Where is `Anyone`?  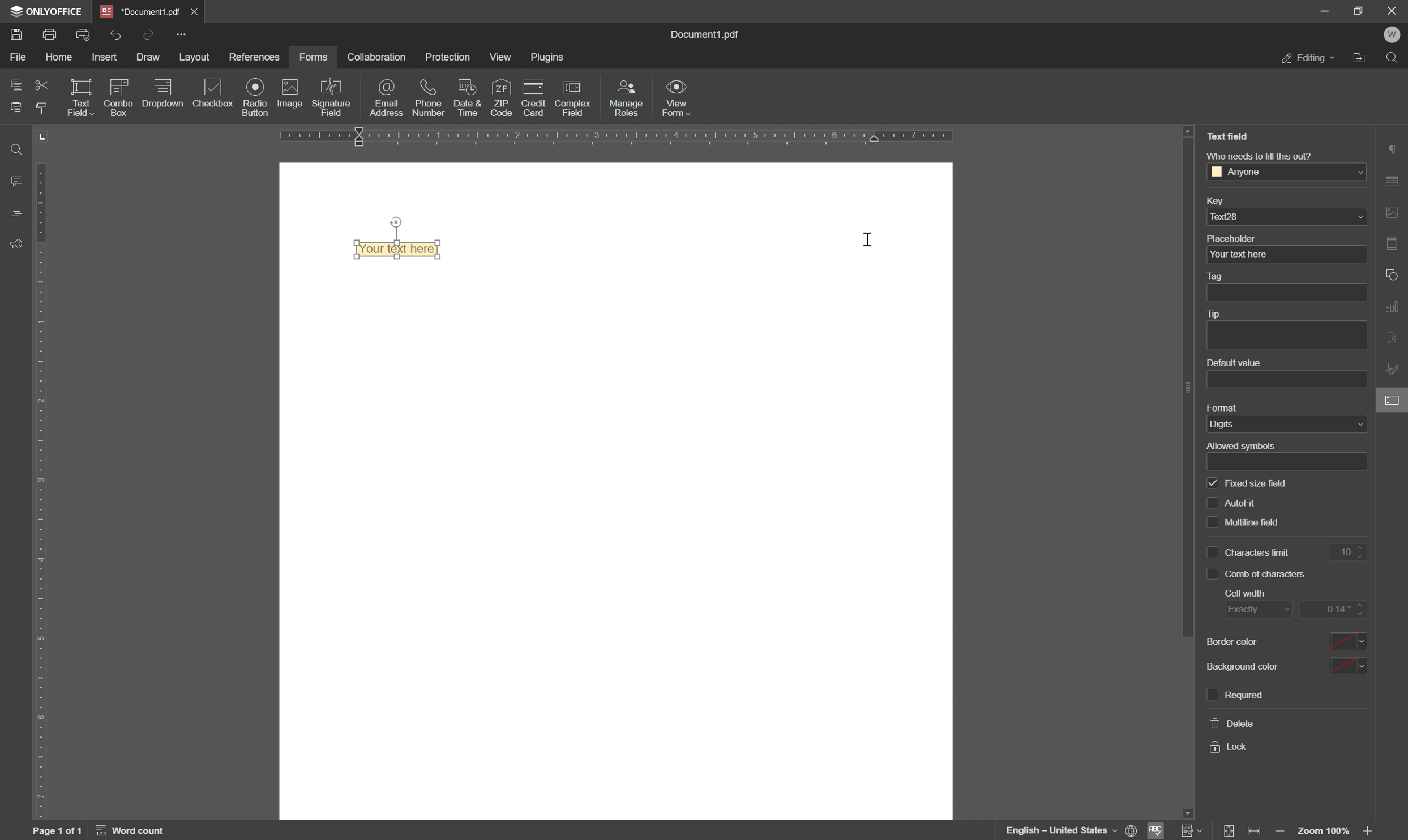
Anyone is located at coordinates (1286, 172).